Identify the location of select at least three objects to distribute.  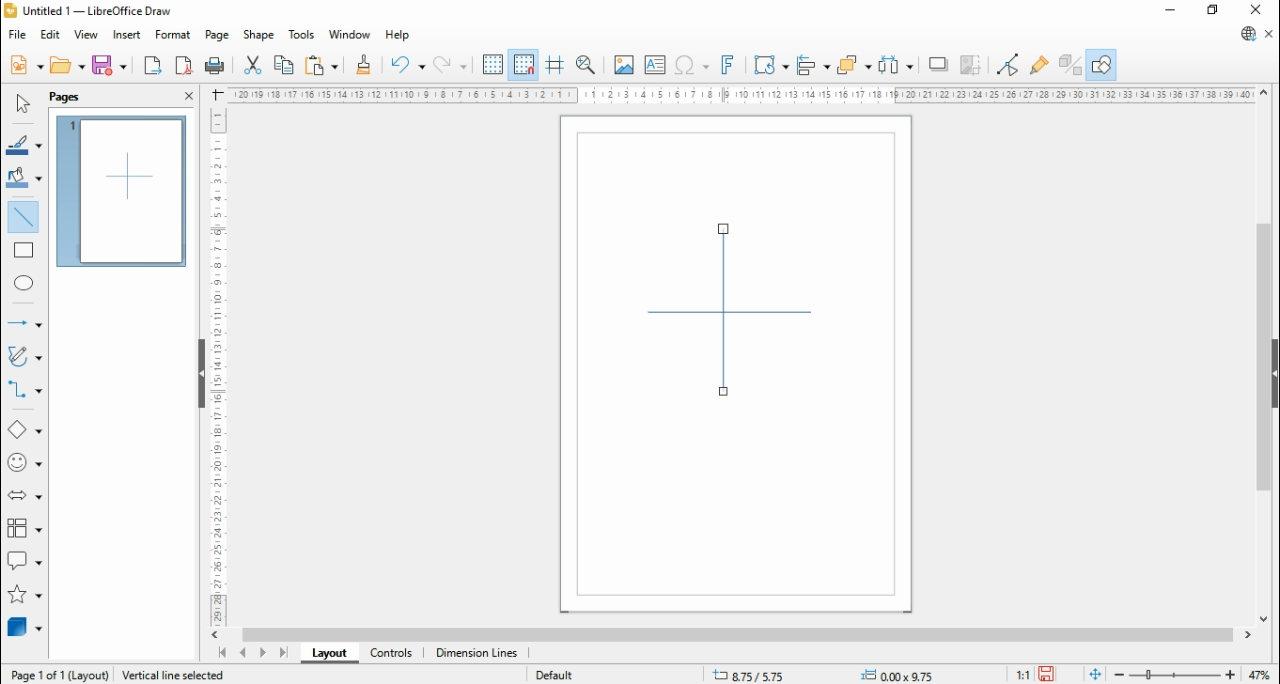
(897, 65).